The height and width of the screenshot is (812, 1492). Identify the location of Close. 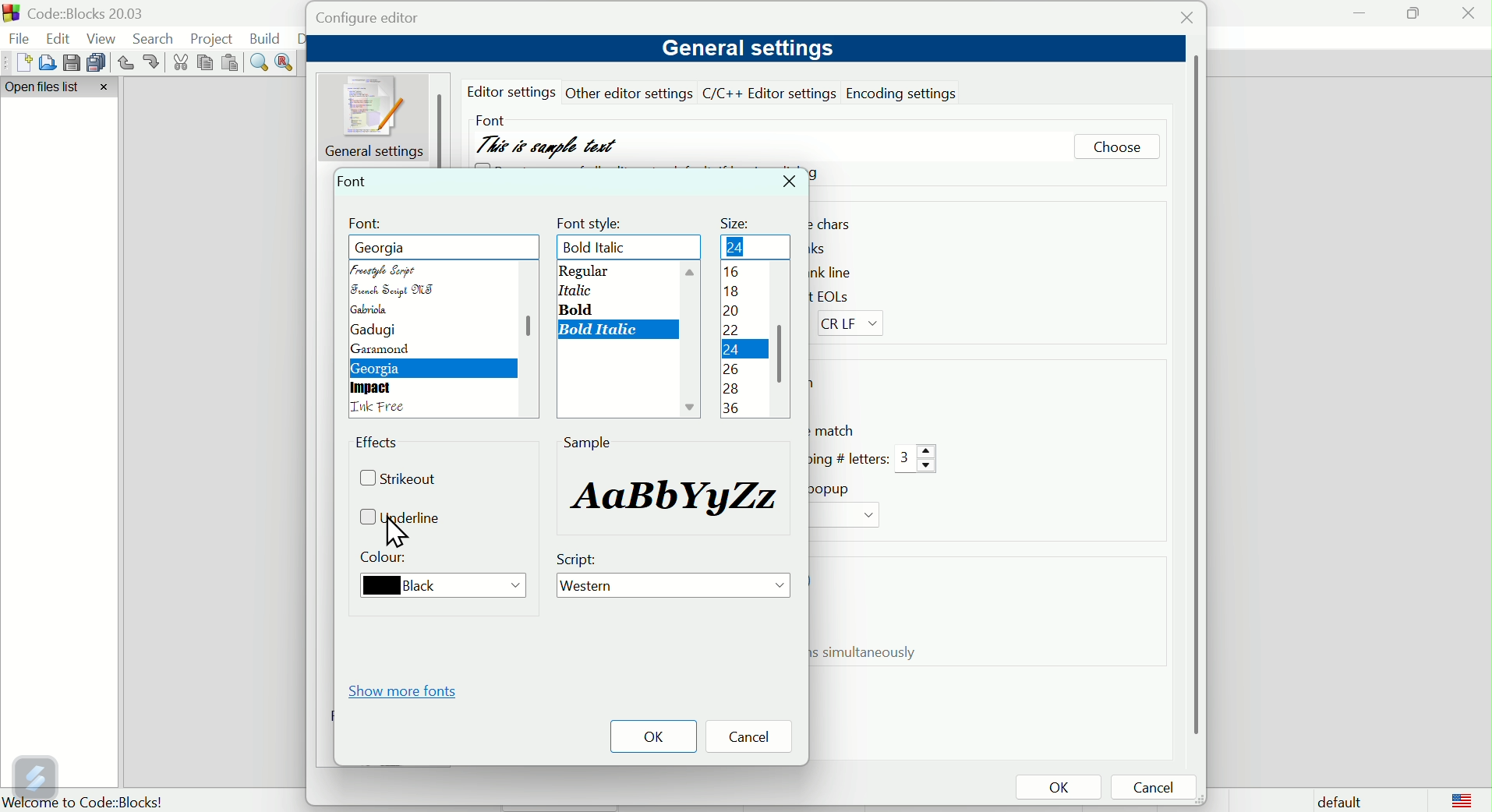
(791, 182).